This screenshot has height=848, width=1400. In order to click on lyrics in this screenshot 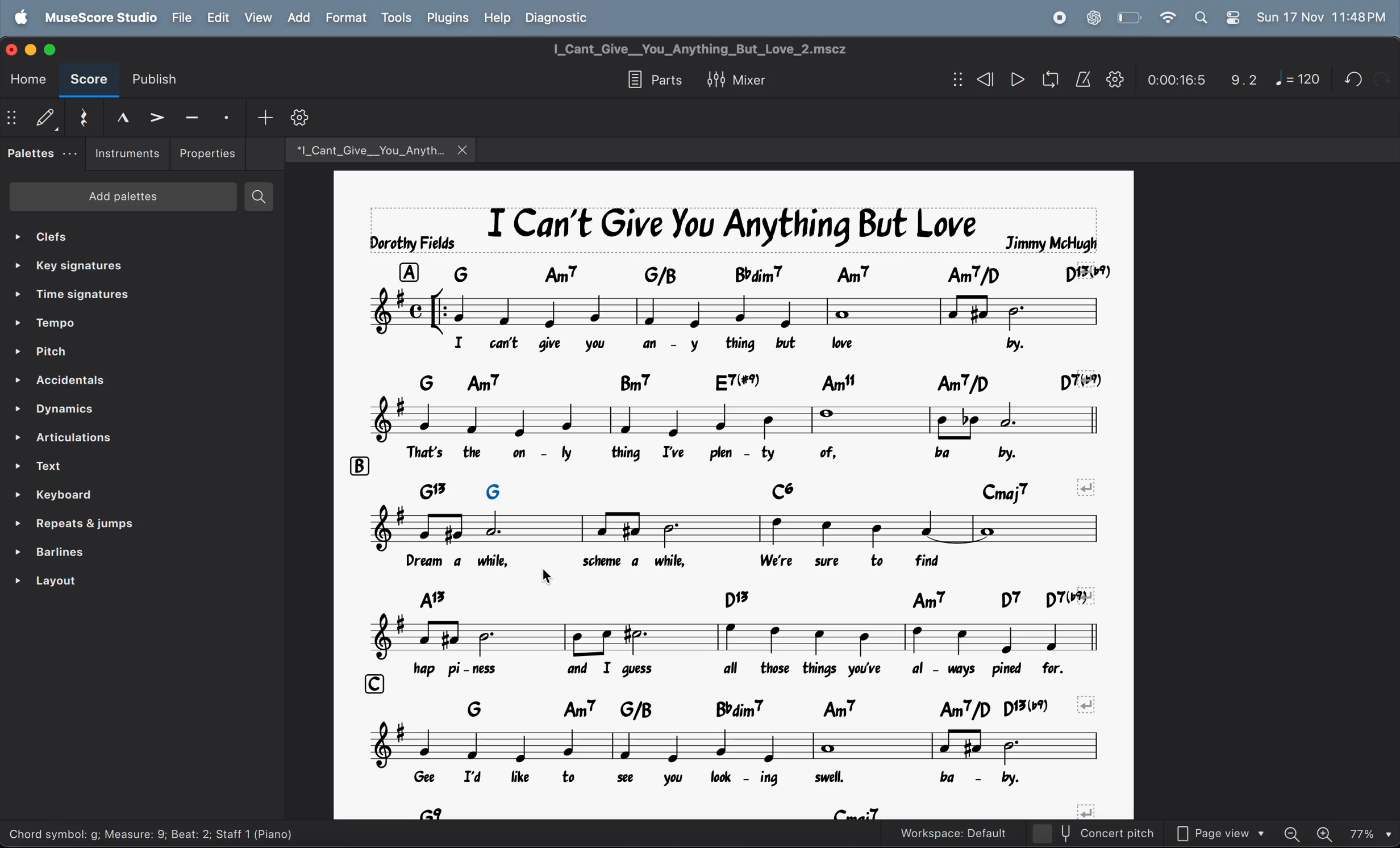, I will do `click(738, 671)`.